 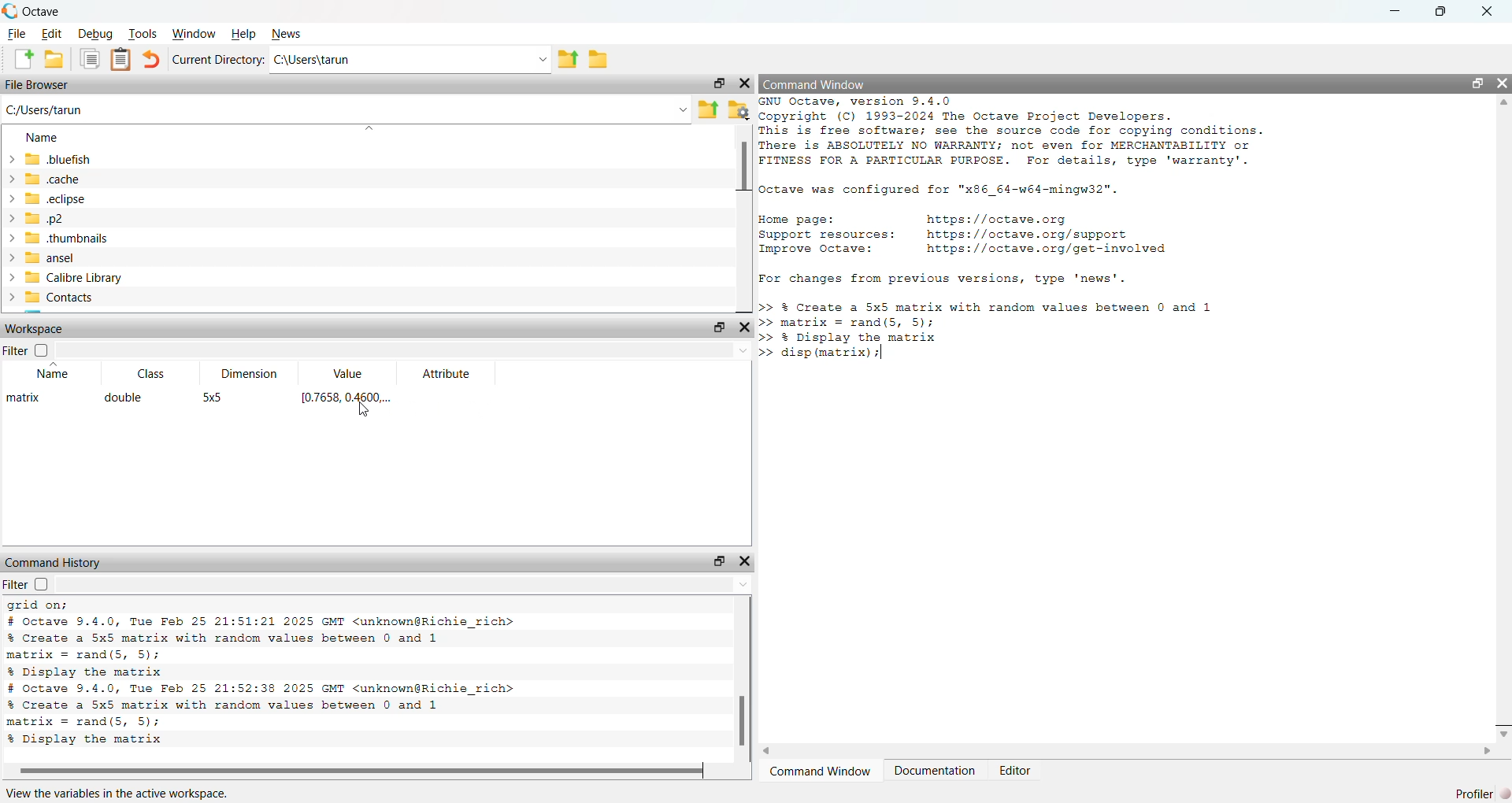 What do you see at coordinates (363, 413) in the screenshot?
I see `cursor` at bounding box center [363, 413].